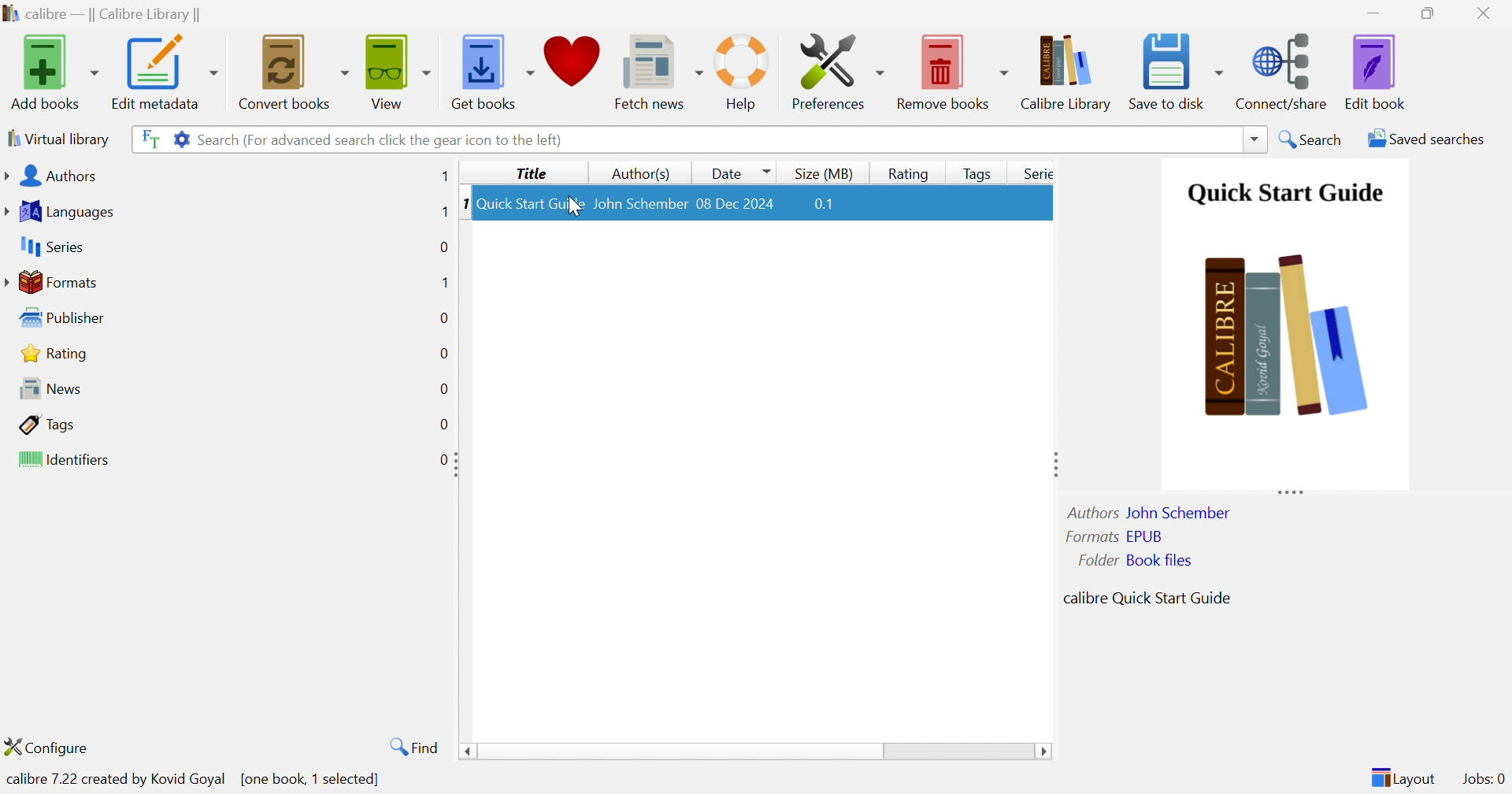 This screenshot has height=794, width=1512. Describe the element at coordinates (437, 460) in the screenshot. I see `0` at that location.